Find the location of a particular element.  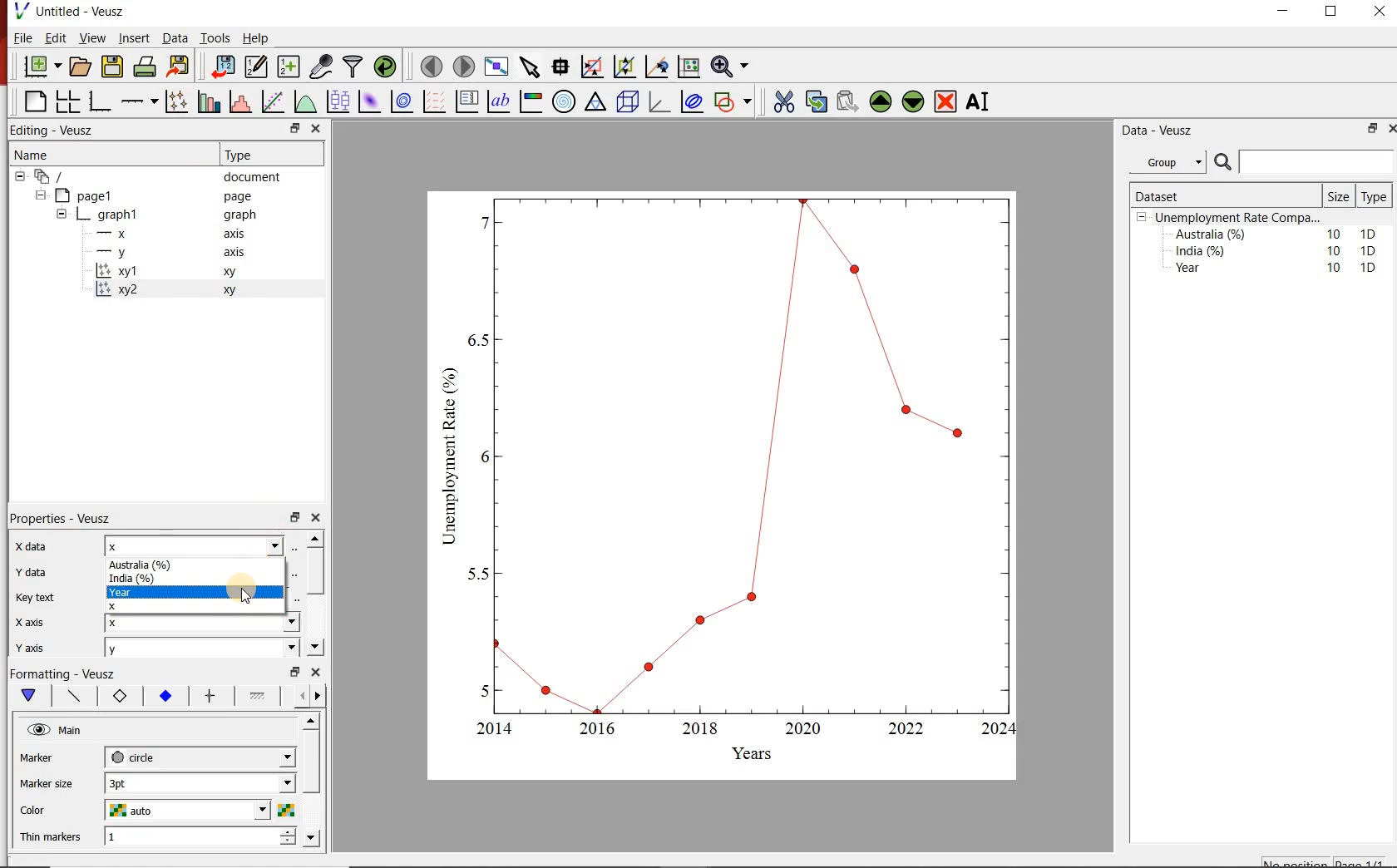

select the items is located at coordinates (531, 65).